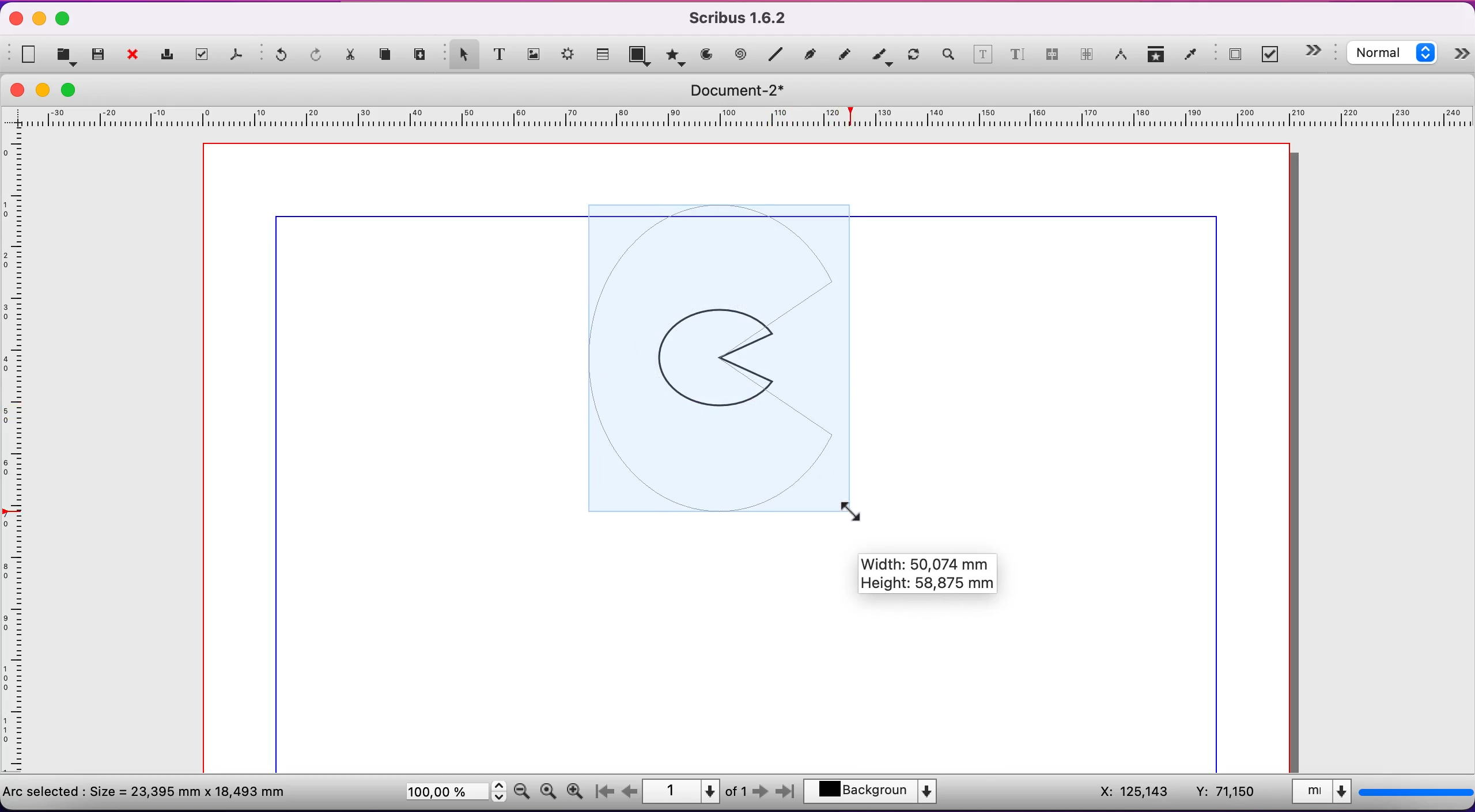 The image size is (1475, 812). Describe the element at coordinates (17, 457) in the screenshot. I see `vertical measures` at that location.